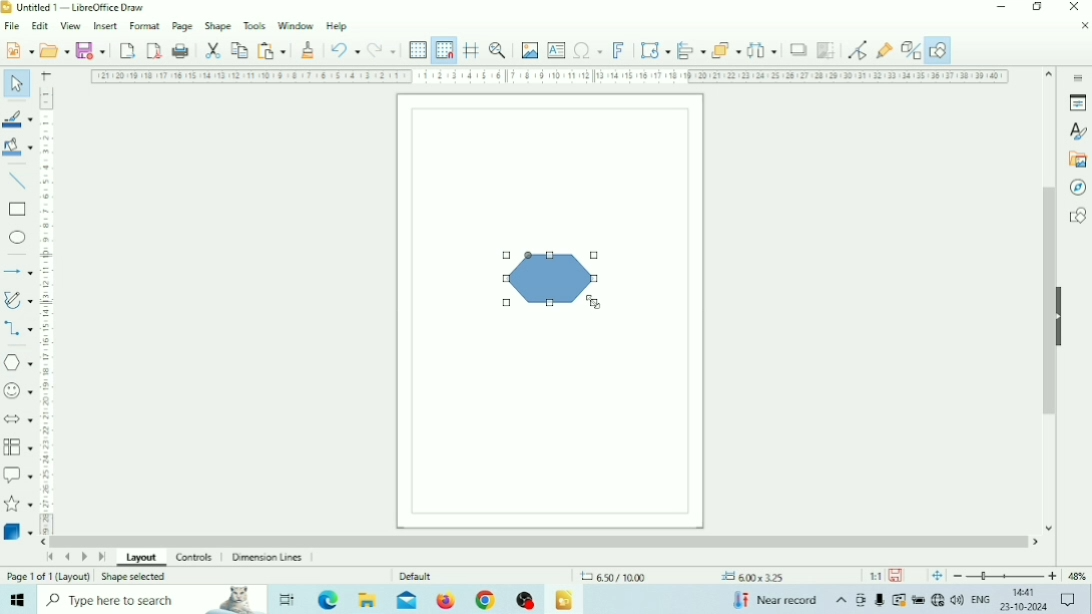  What do you see at coordinates (102, 559) in the screenshot?
I see `Scroll to last page` at bounding box center [102, 559].